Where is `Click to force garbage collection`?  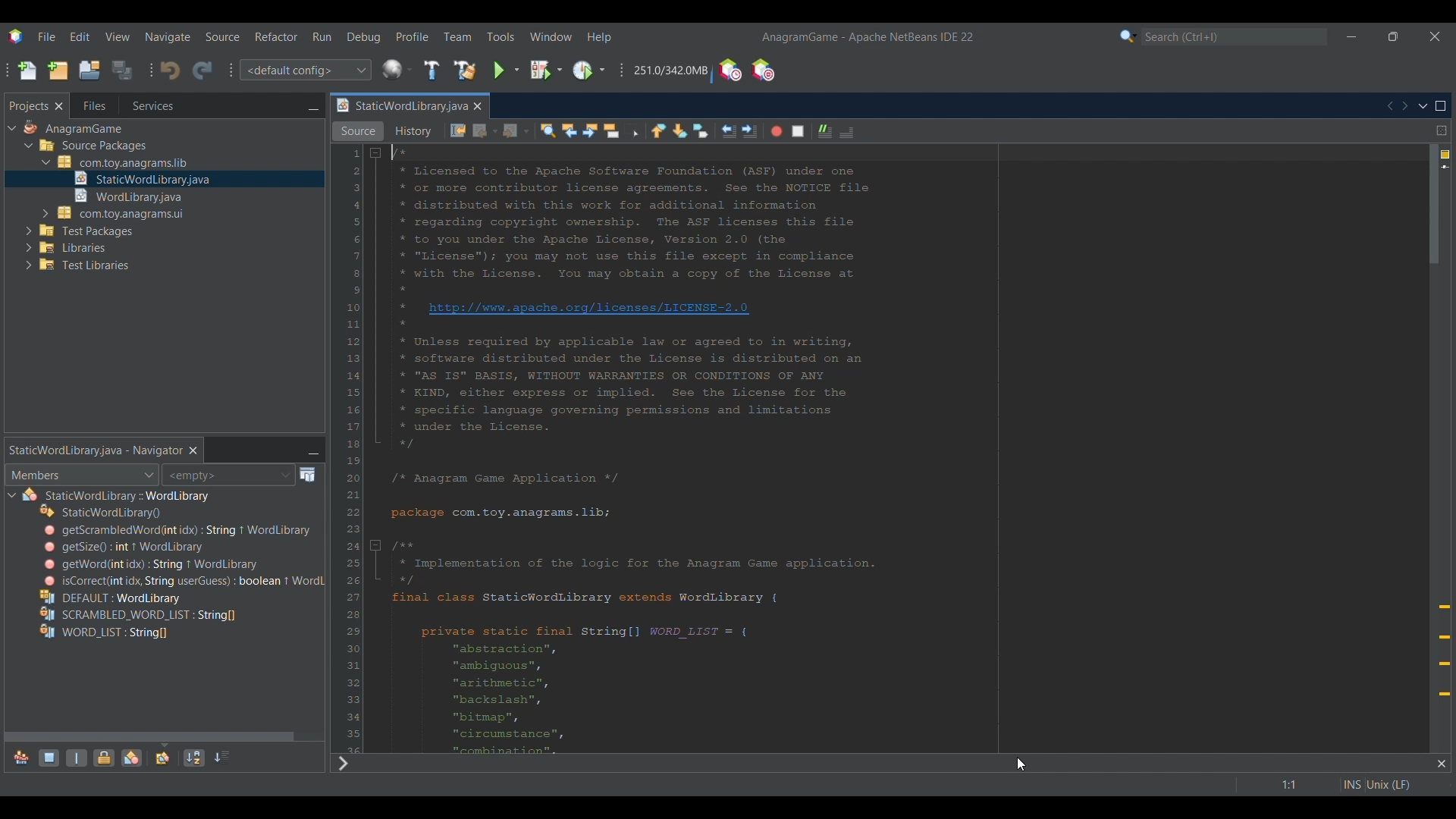
Click to force garbage collection is located at coordinates (670, 70).